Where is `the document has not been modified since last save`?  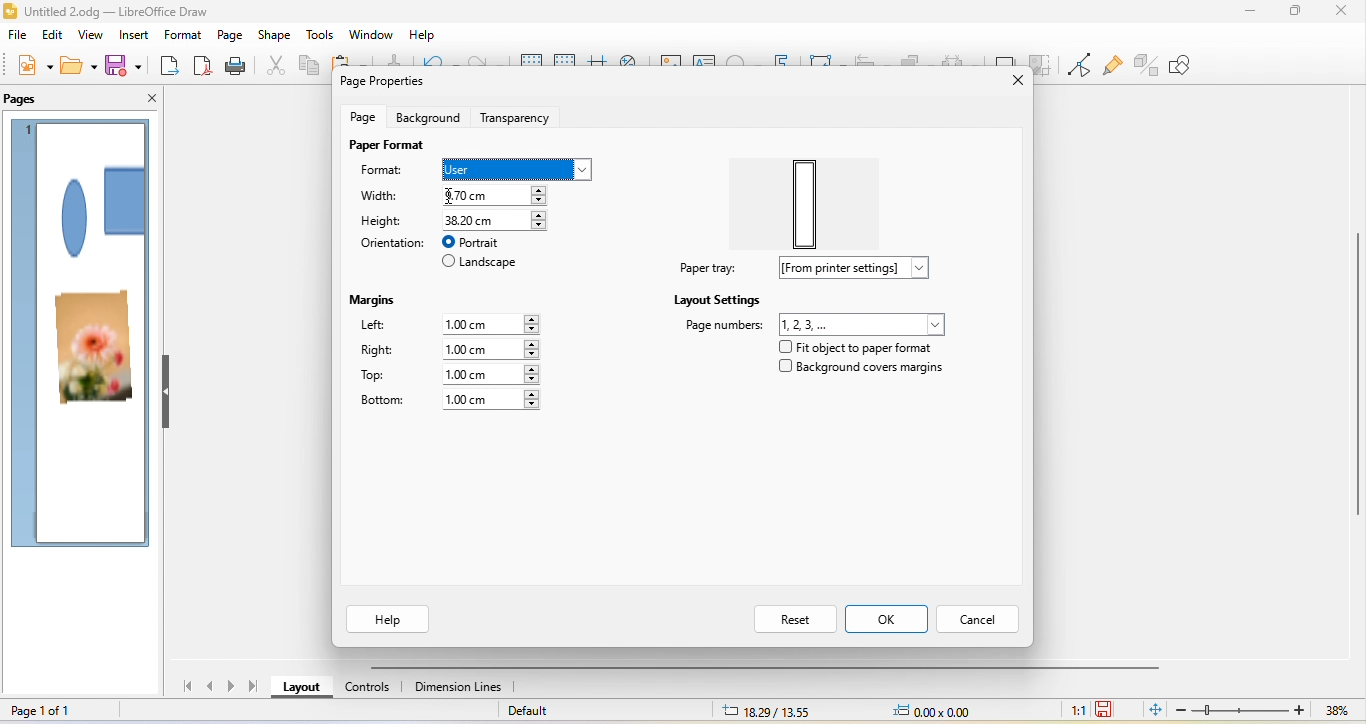
the document has not been modified since last save is located at coordinates (1109, 709).